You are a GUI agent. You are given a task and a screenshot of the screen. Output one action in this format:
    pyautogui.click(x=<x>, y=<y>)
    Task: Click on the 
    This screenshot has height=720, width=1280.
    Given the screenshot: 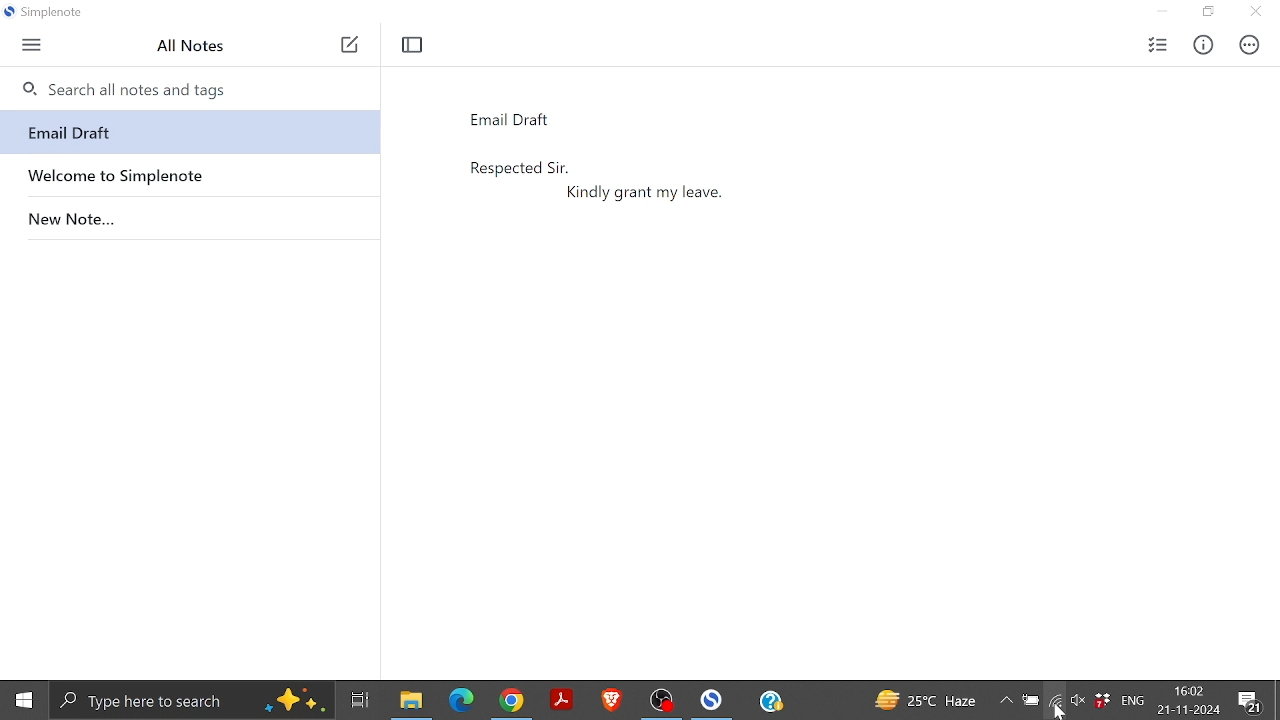 What is the action you would take?
    pyautogui.click(x=2373, y=1612)
    